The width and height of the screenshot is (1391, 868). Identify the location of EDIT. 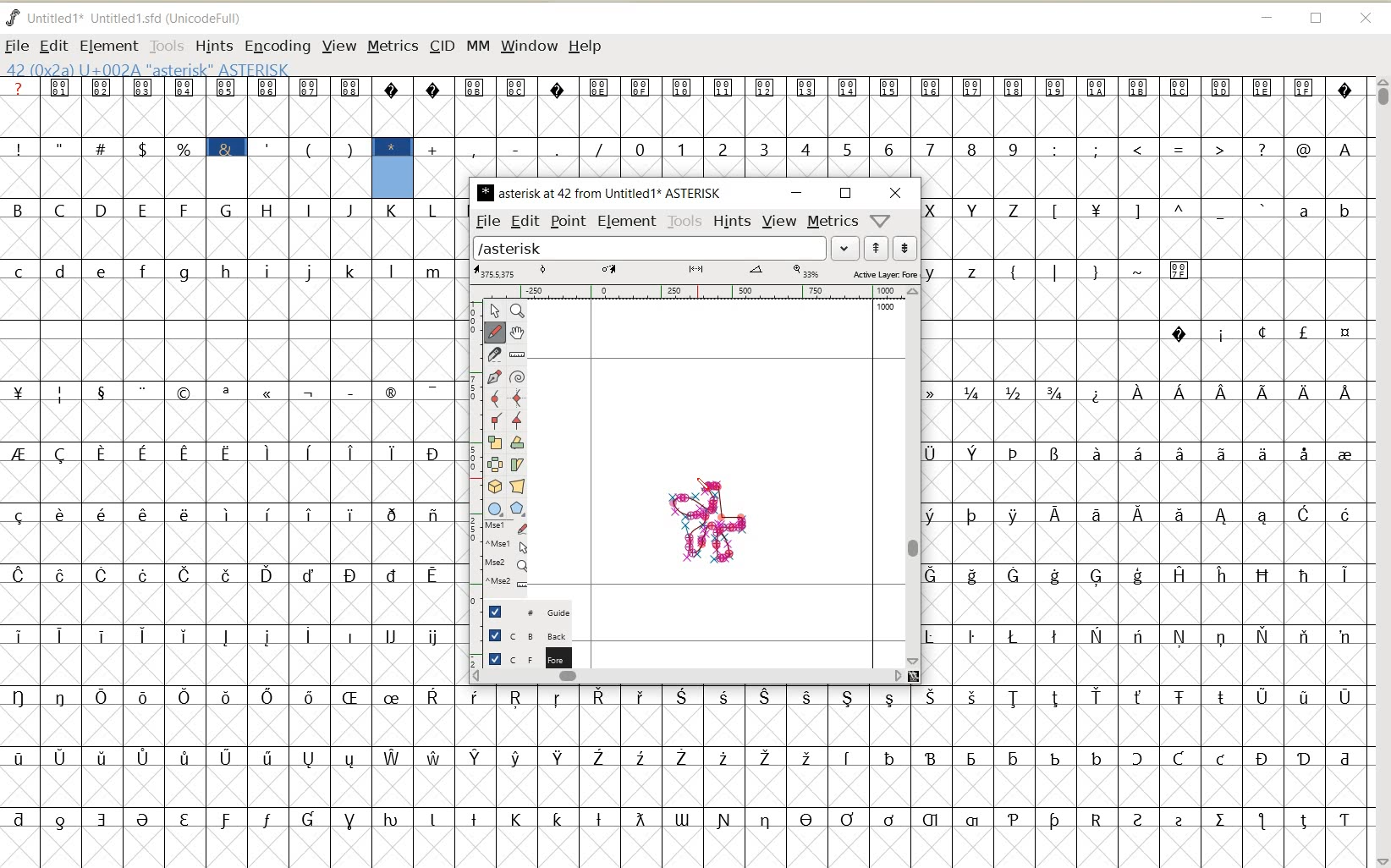
(524, 222).